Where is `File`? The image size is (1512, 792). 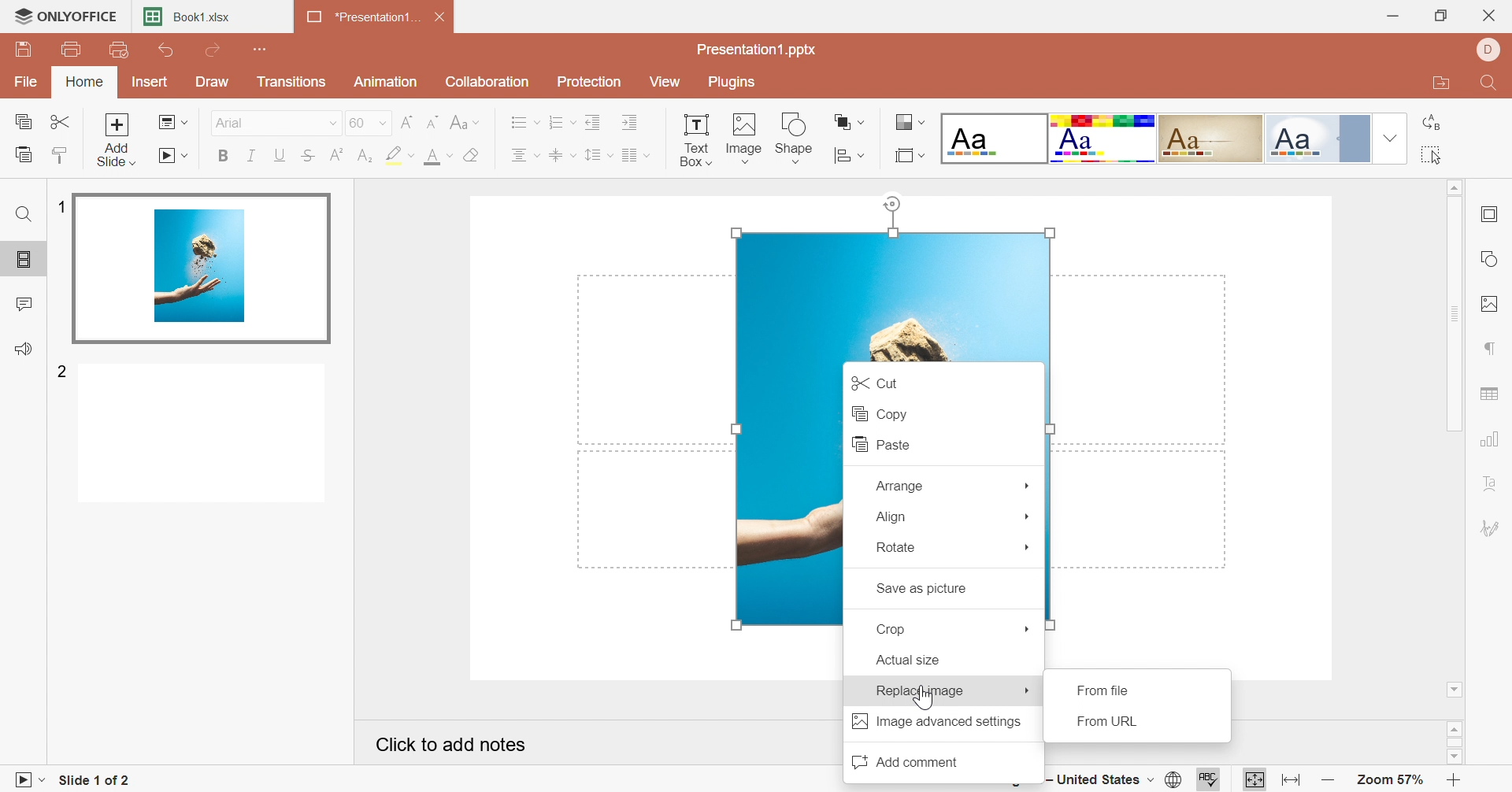
File is located at coordinates (29, 80).